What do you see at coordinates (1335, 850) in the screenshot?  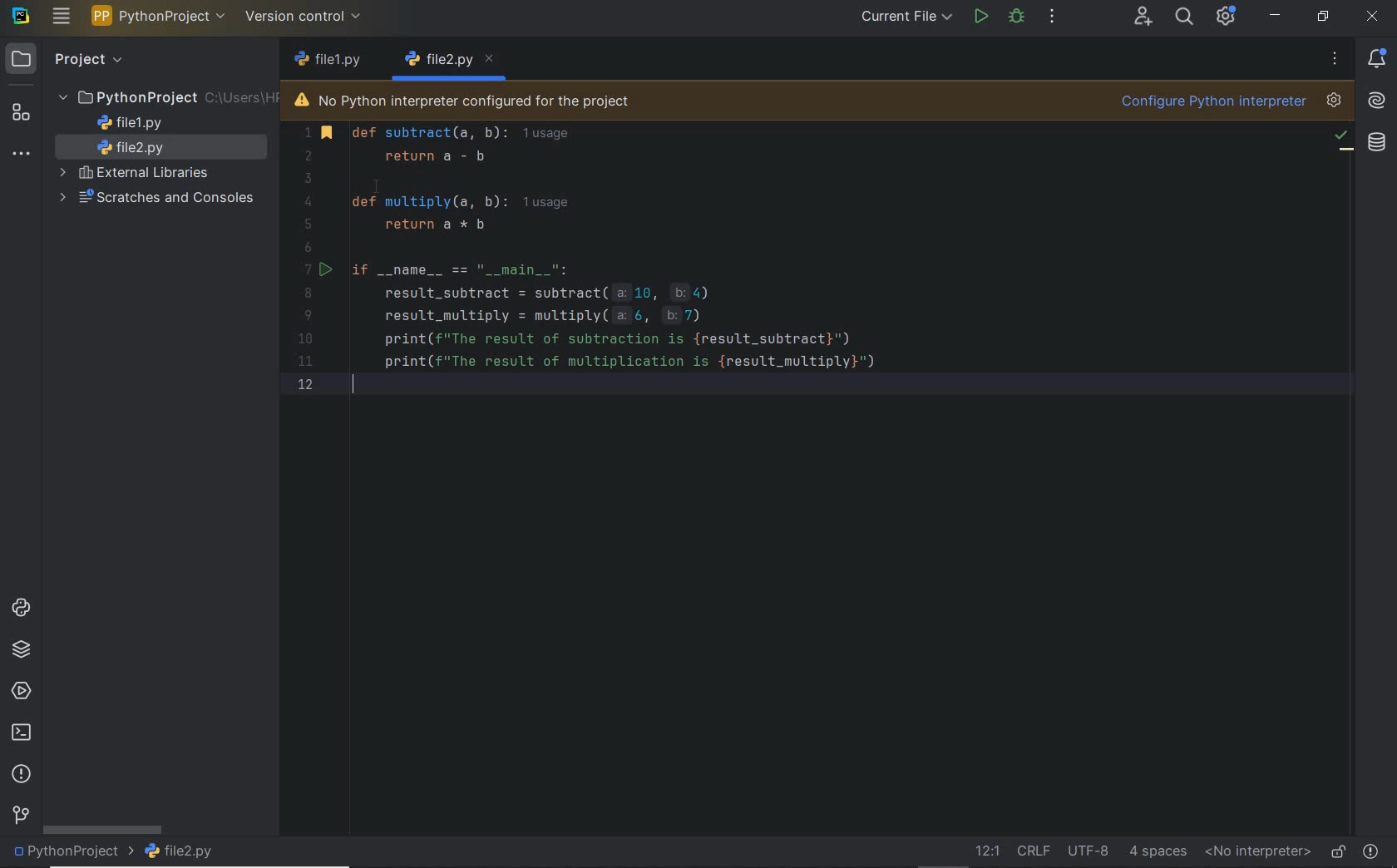 I see `make file ready only` at bounding box center [1335, 850].